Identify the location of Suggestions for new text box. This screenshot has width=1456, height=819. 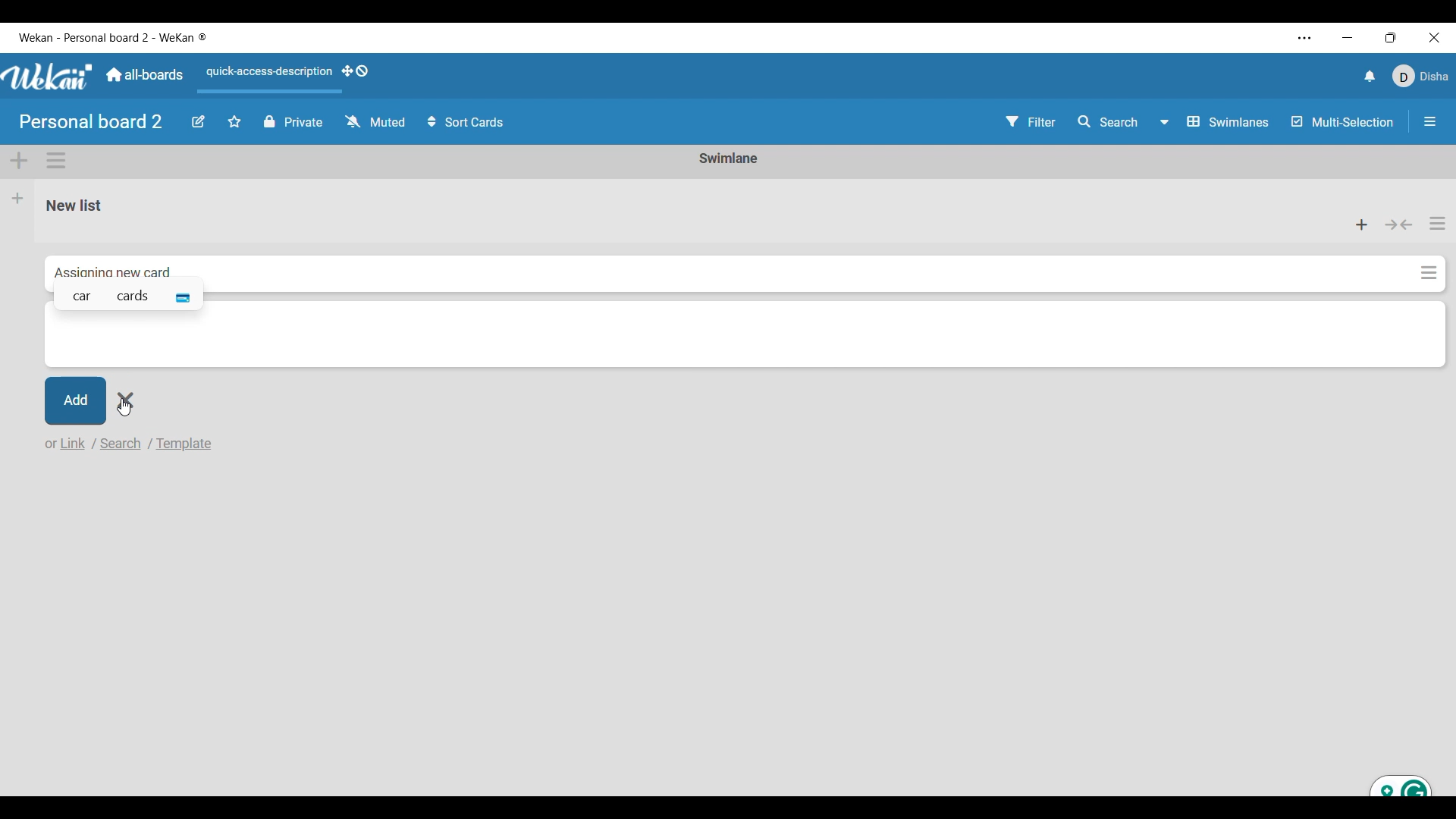
(127, 293).